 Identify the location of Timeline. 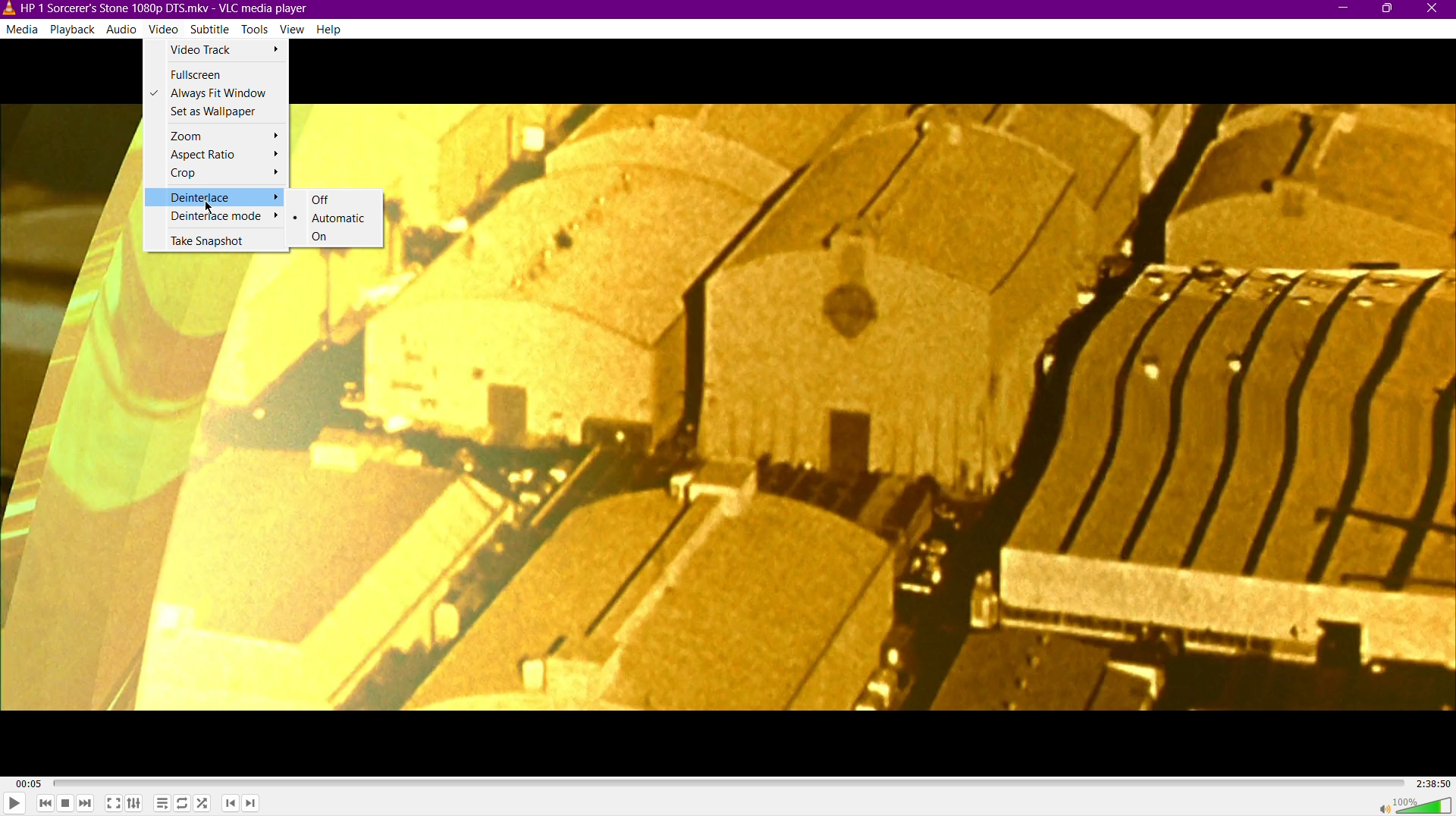
(730, 782).